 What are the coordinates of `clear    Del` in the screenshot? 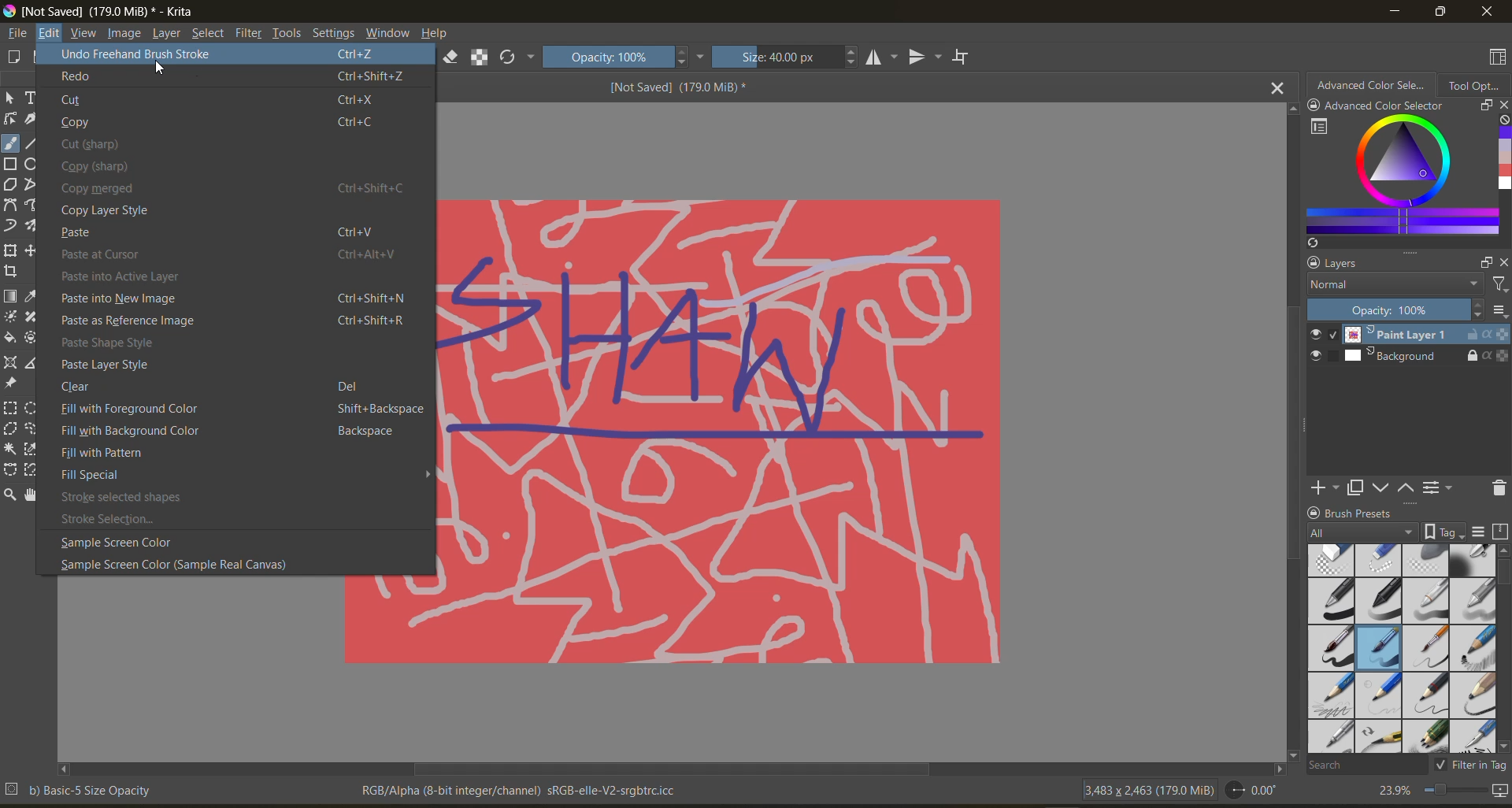 It's located at (217, 386).